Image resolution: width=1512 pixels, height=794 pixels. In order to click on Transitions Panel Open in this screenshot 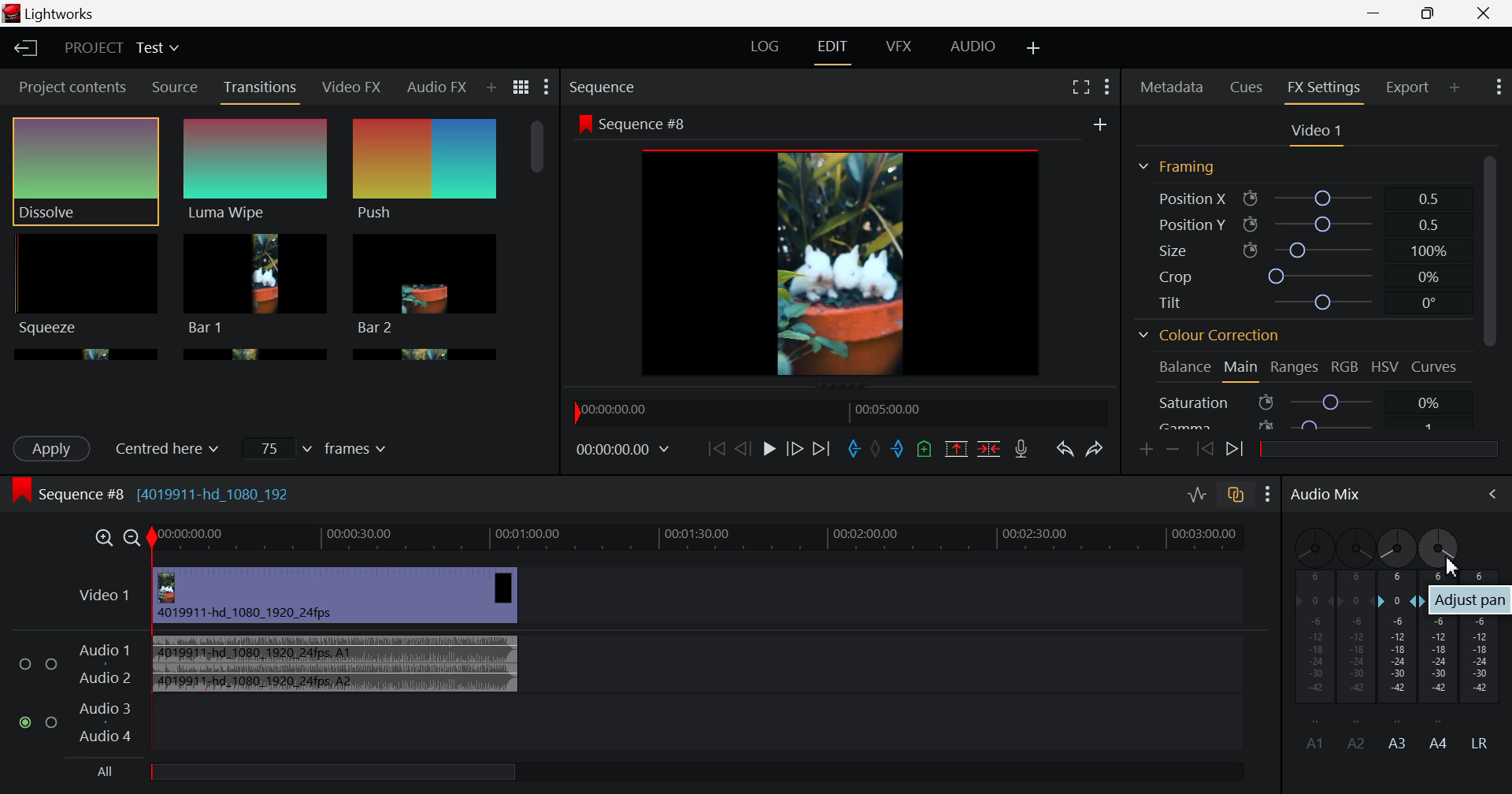, I will do `click(261, 92)`.